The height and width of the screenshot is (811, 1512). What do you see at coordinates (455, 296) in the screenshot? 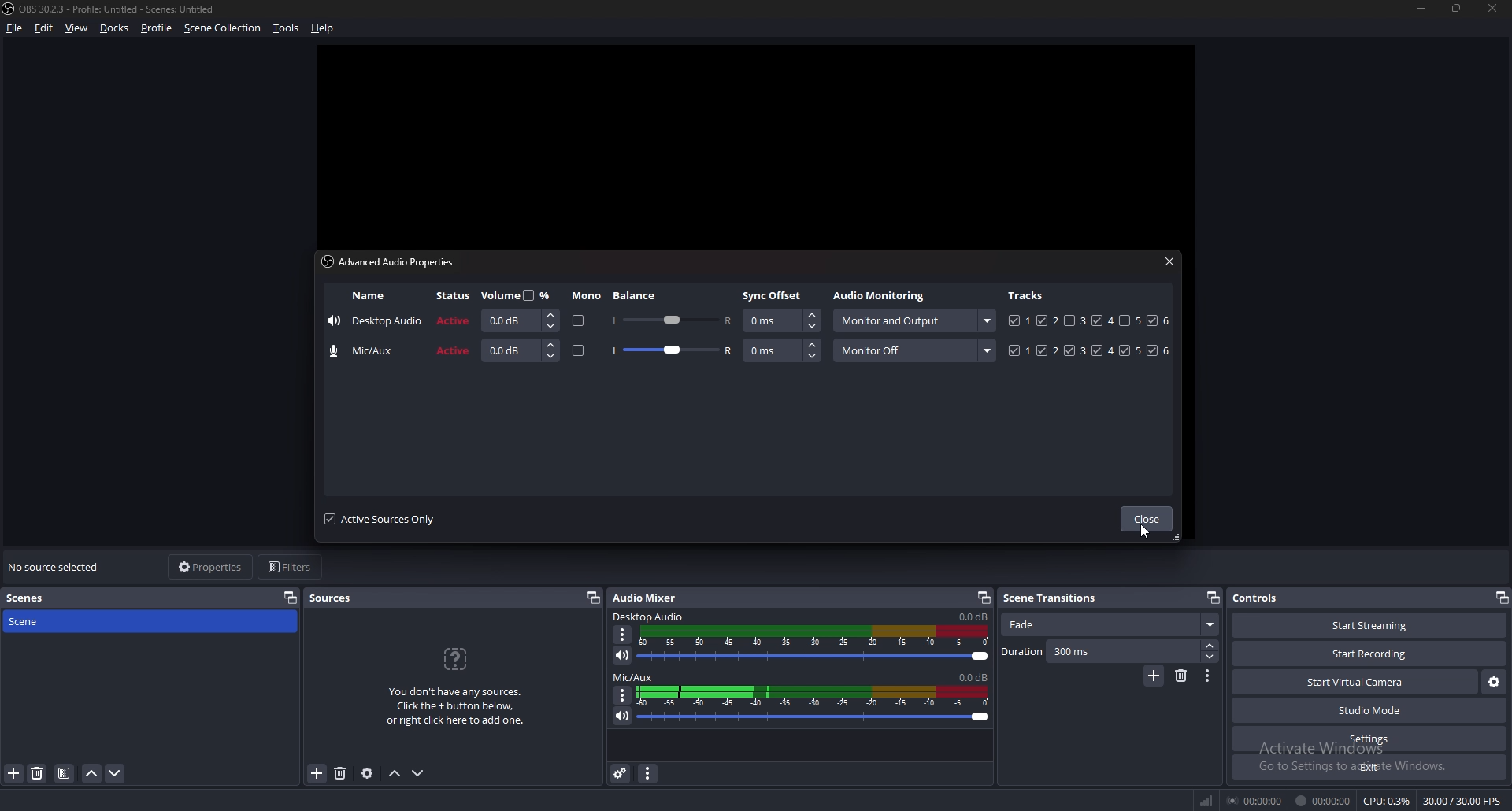
I see `stuatus` at bounding box center [455, 296].